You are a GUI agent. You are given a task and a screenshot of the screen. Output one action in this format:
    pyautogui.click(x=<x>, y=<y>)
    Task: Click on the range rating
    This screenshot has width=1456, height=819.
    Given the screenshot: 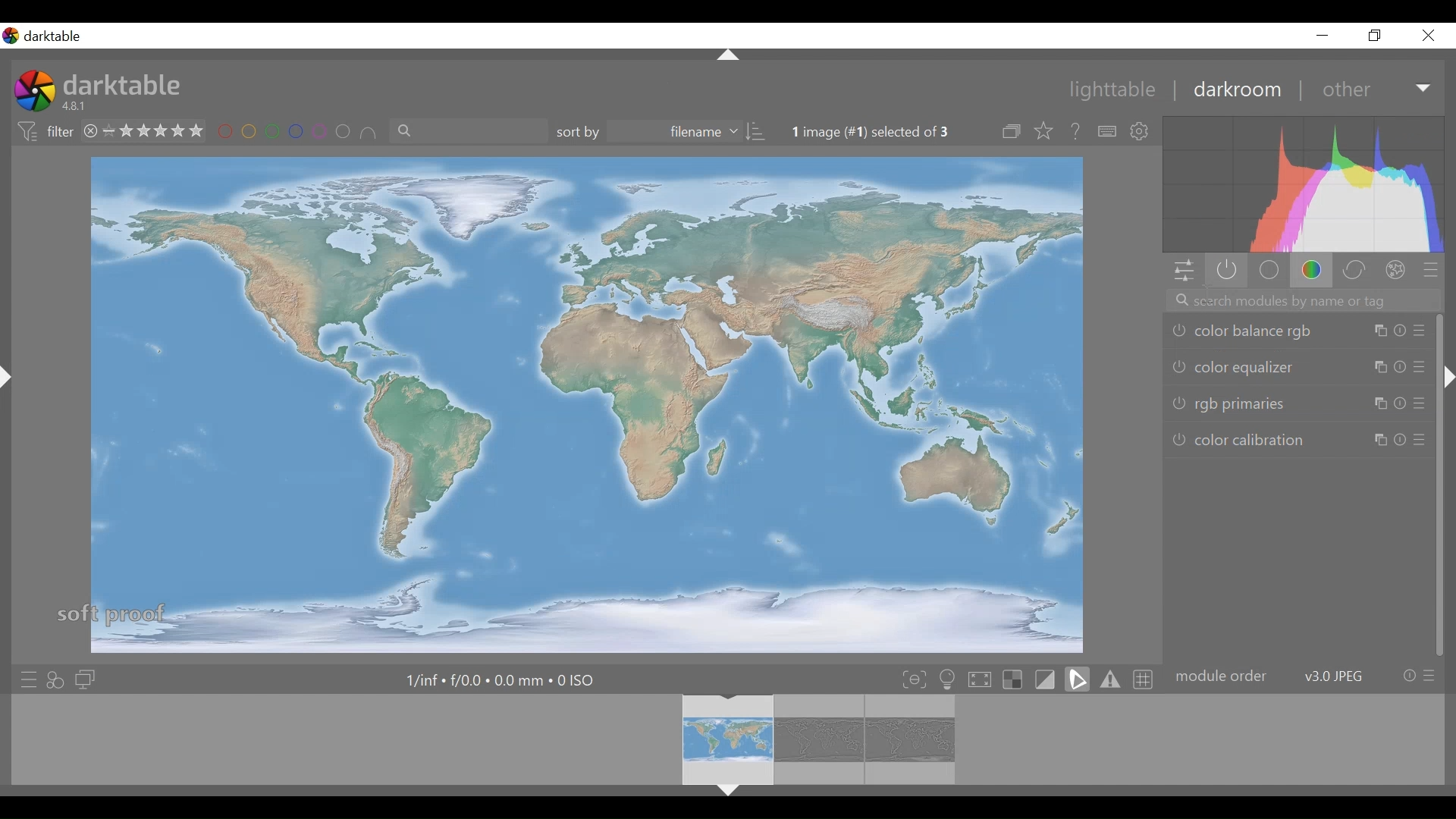 What is the action you would take?
    pyautogui.click(x=144, y=130)
    